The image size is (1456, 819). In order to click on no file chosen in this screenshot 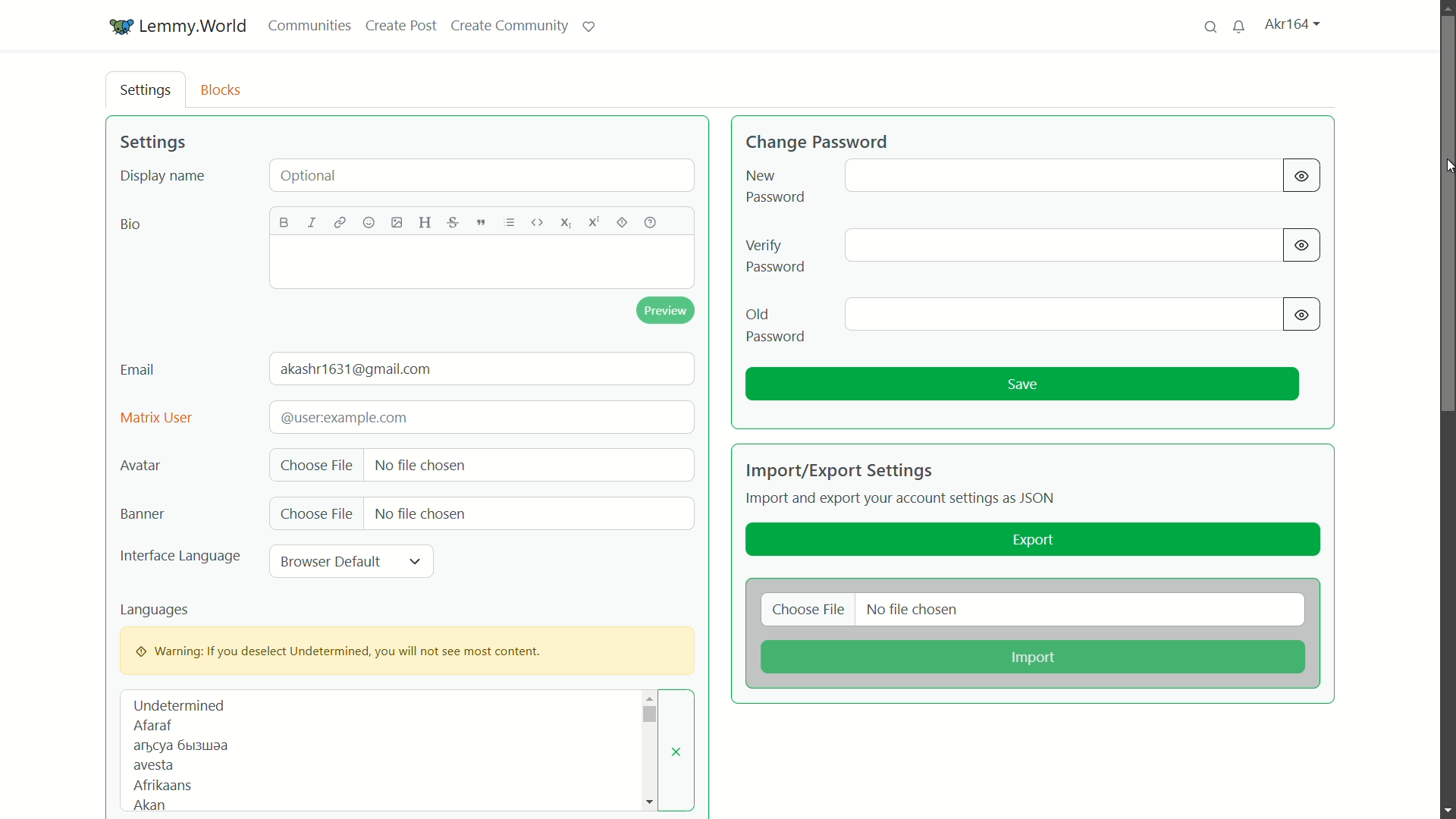, I will do `click(421, 513)`.